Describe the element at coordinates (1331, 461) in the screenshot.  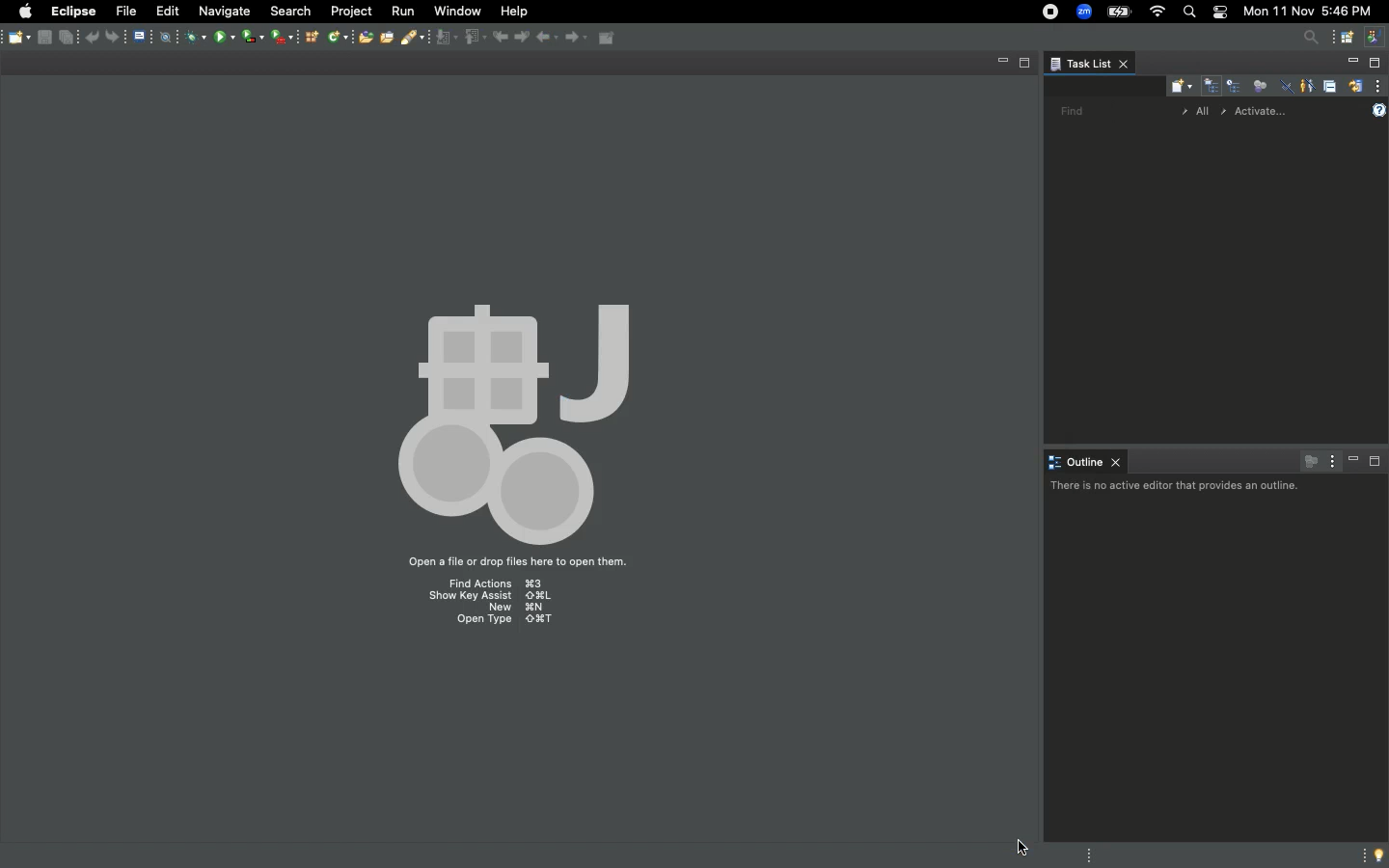
I see `View menu` at that location.